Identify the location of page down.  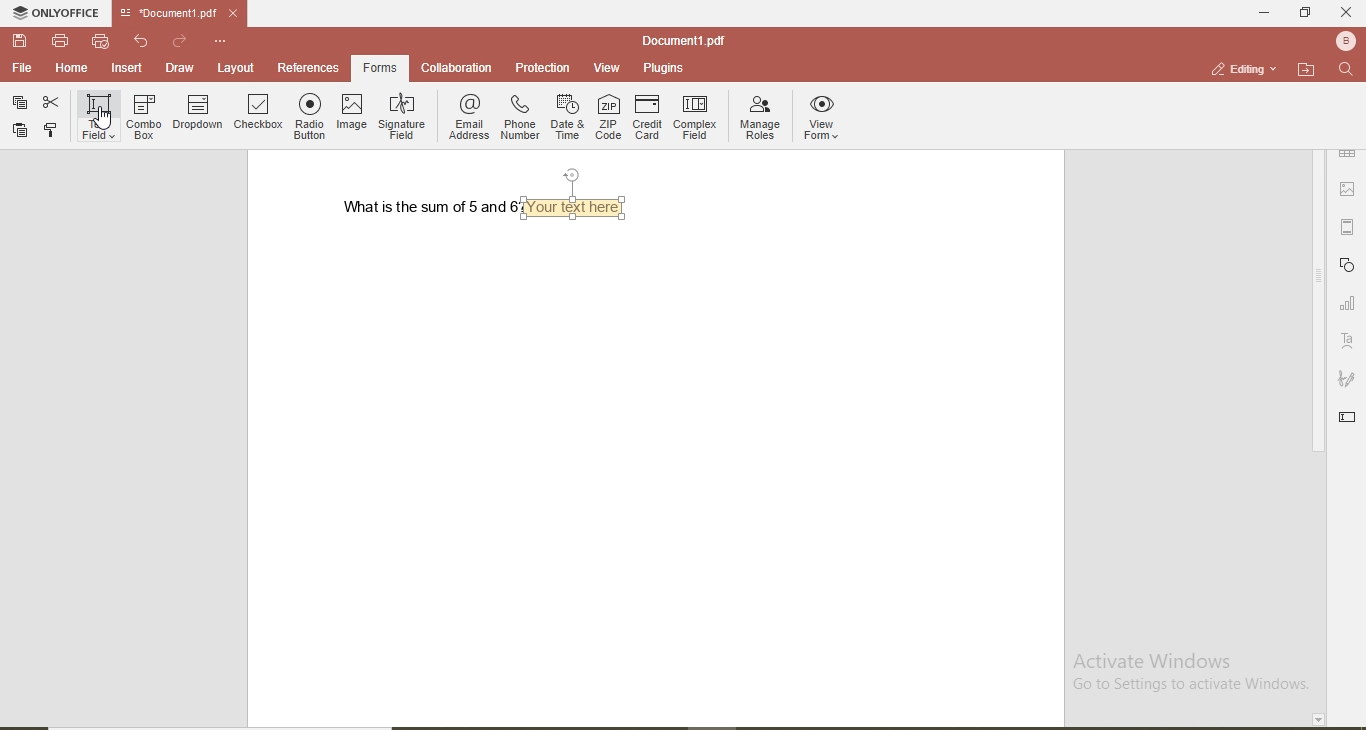
(1317, 719).